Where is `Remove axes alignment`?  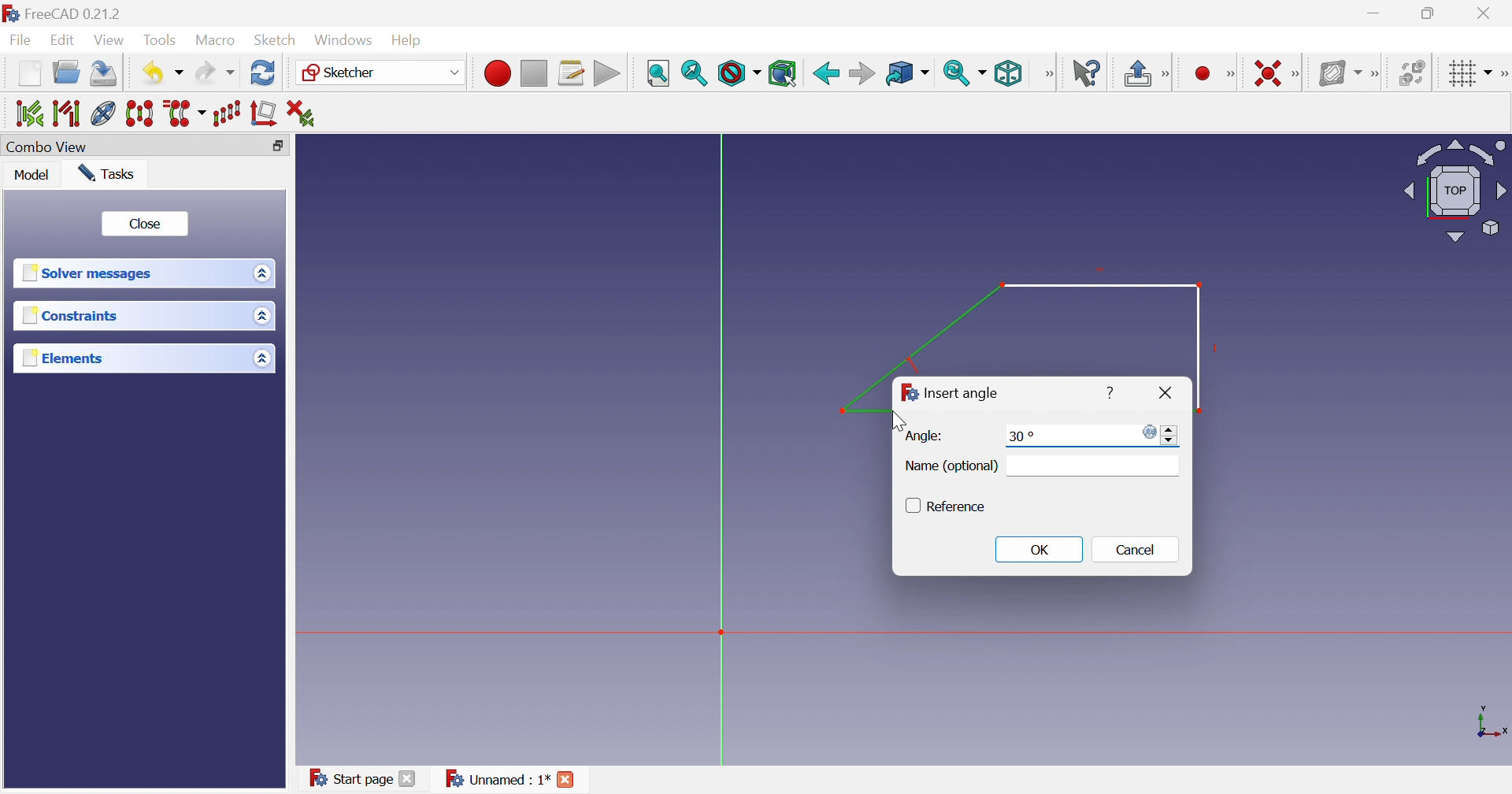 Remove axes alignment is located at coordinates (264, 116).